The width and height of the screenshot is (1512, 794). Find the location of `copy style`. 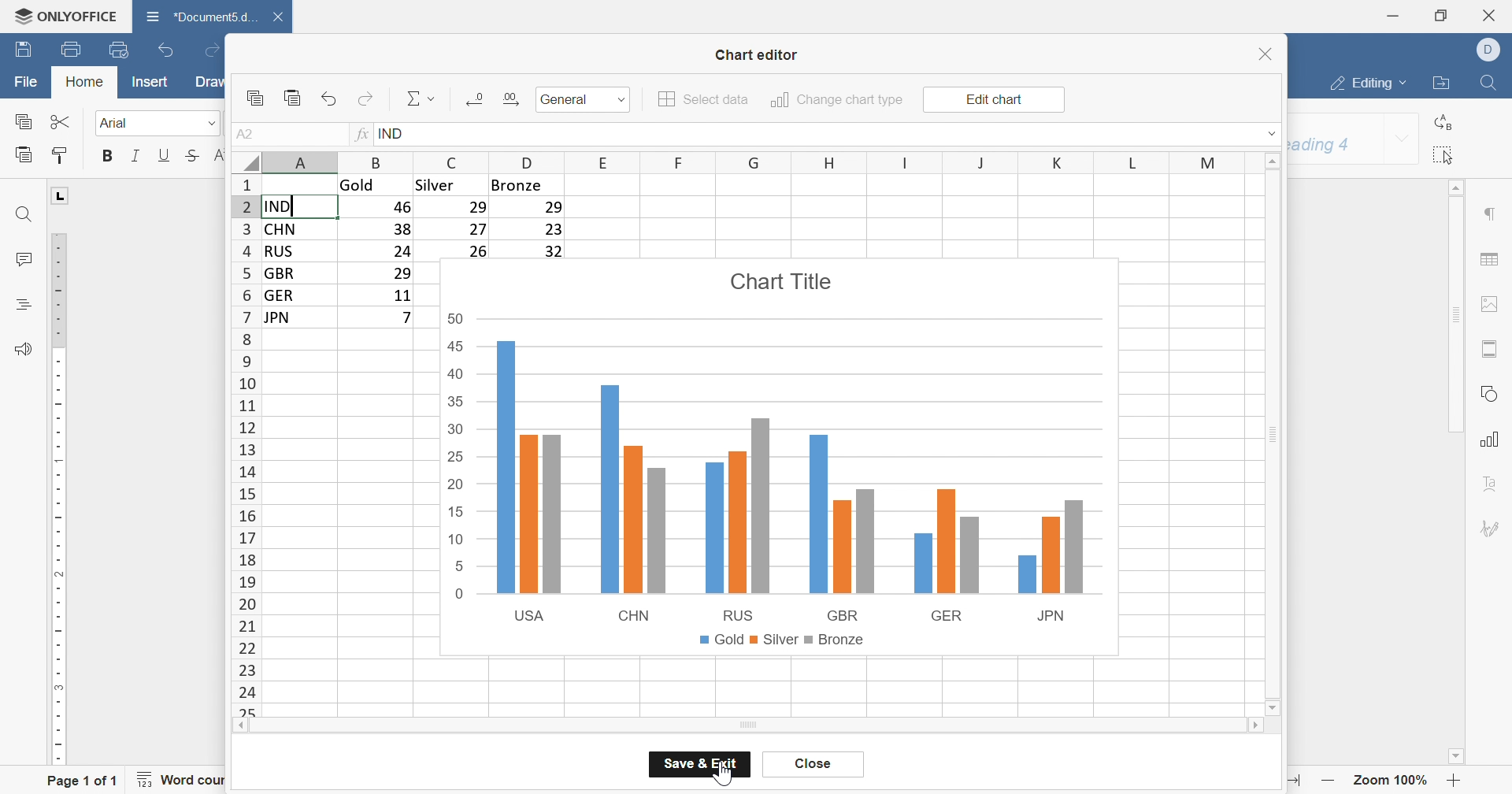

copy style is located at coordinates (61, 155).